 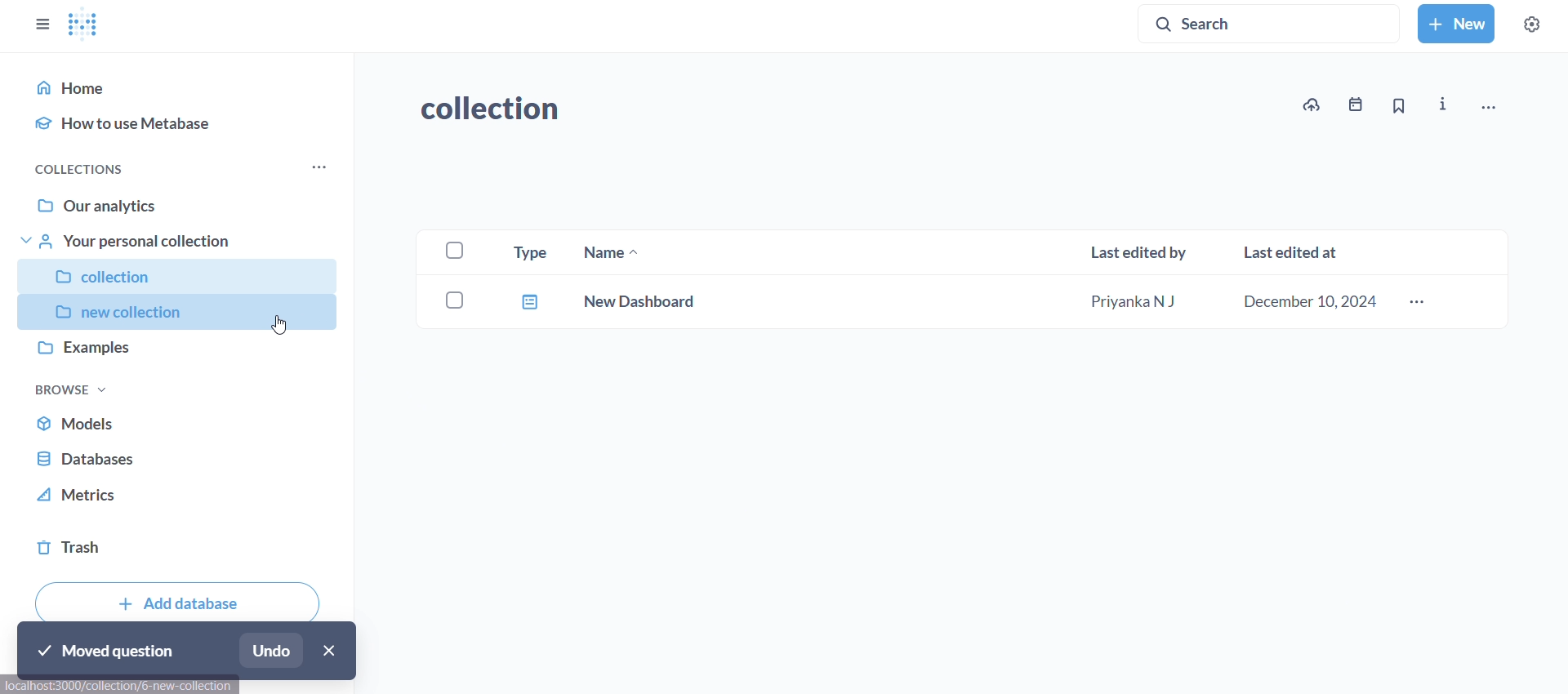 What do you see at coordinates (188, 652) in the screenshot?
I see `moved question undo` at bounding box center [188, 652].